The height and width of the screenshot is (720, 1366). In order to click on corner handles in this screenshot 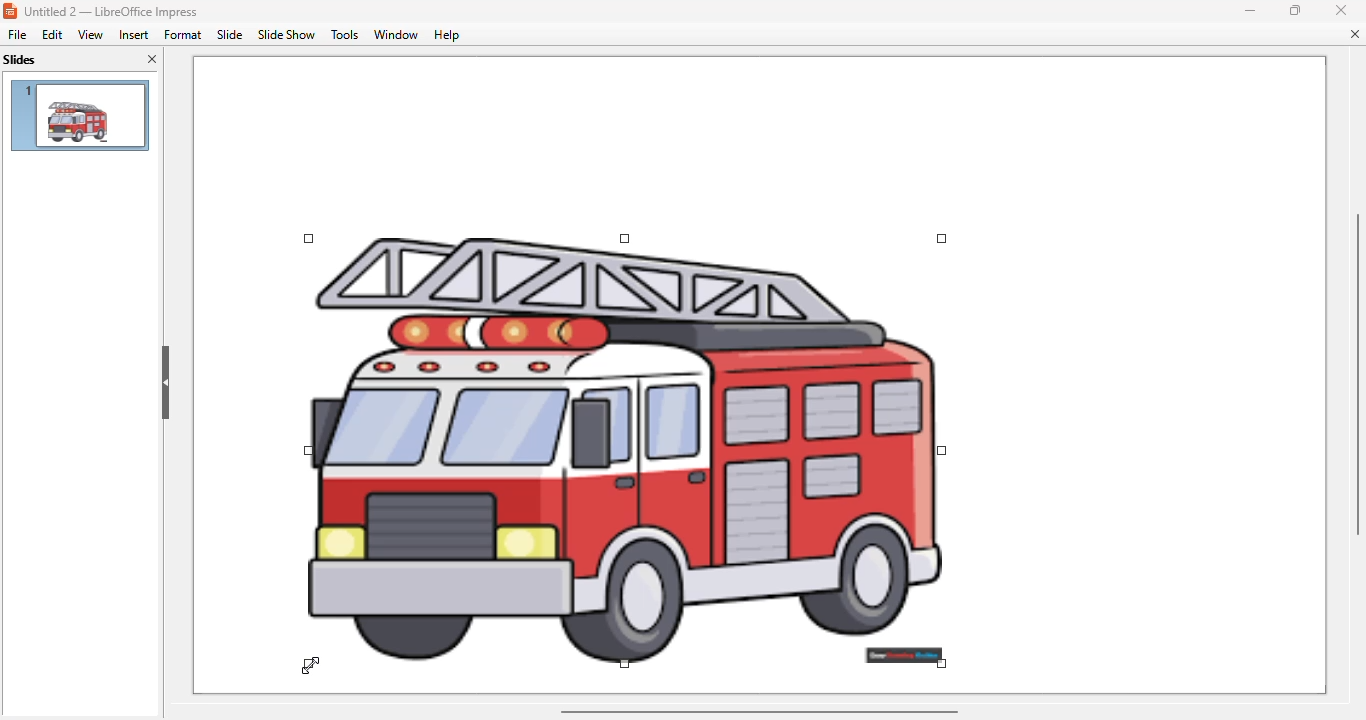, I will do `click(941, 662)`.